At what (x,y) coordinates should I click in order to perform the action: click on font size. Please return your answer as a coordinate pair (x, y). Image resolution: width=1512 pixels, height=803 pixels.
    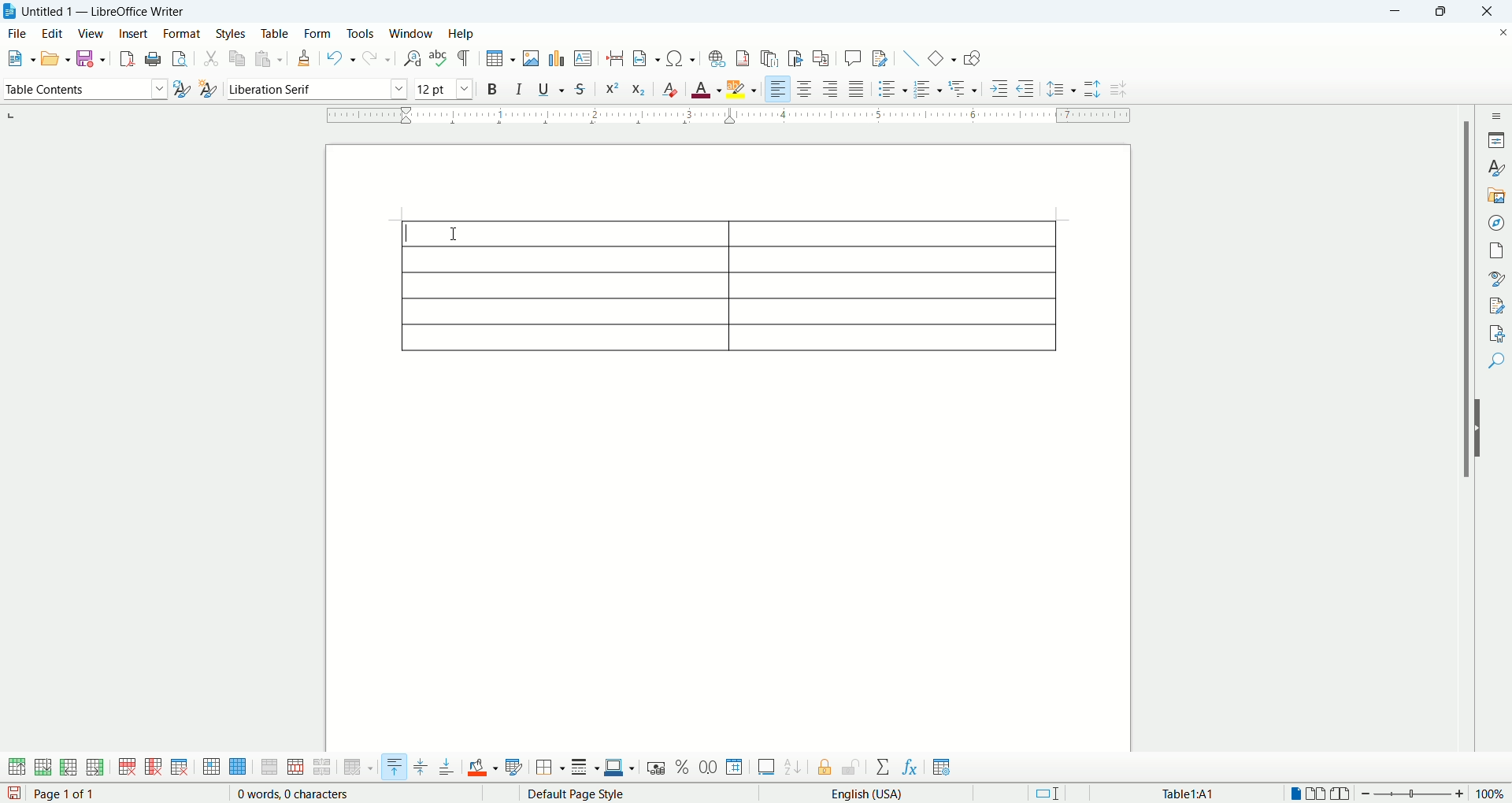
    Looking at the image, I should click on (444, 88).